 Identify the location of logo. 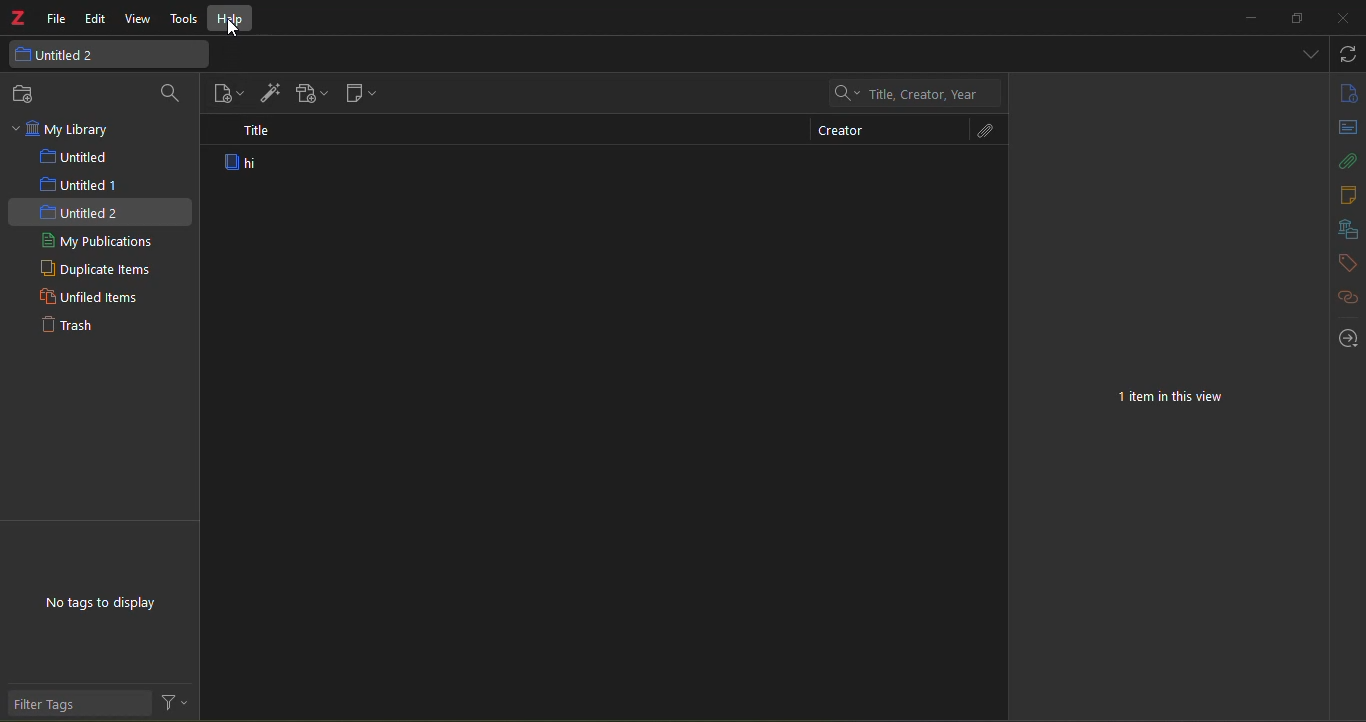
(18, 17).